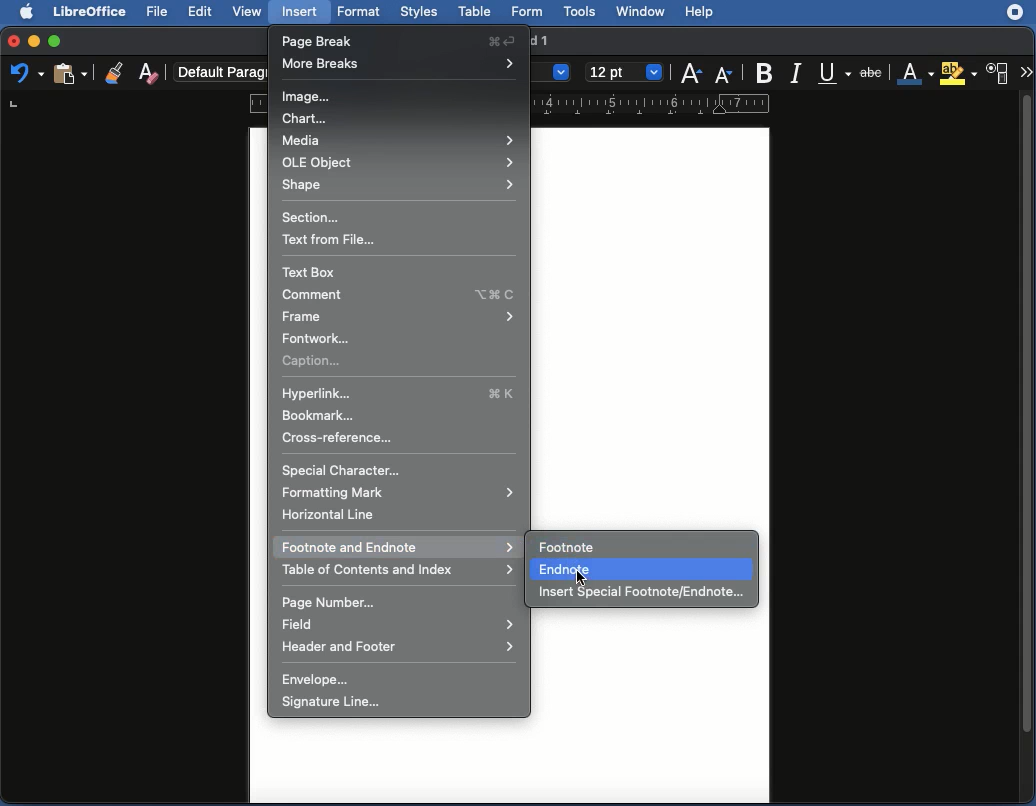 This screenshot has width=1036, height=806. What do you see at coordinates (309, 271) in the screenshot?
I see `Text box` at bounding box center [309, 271].